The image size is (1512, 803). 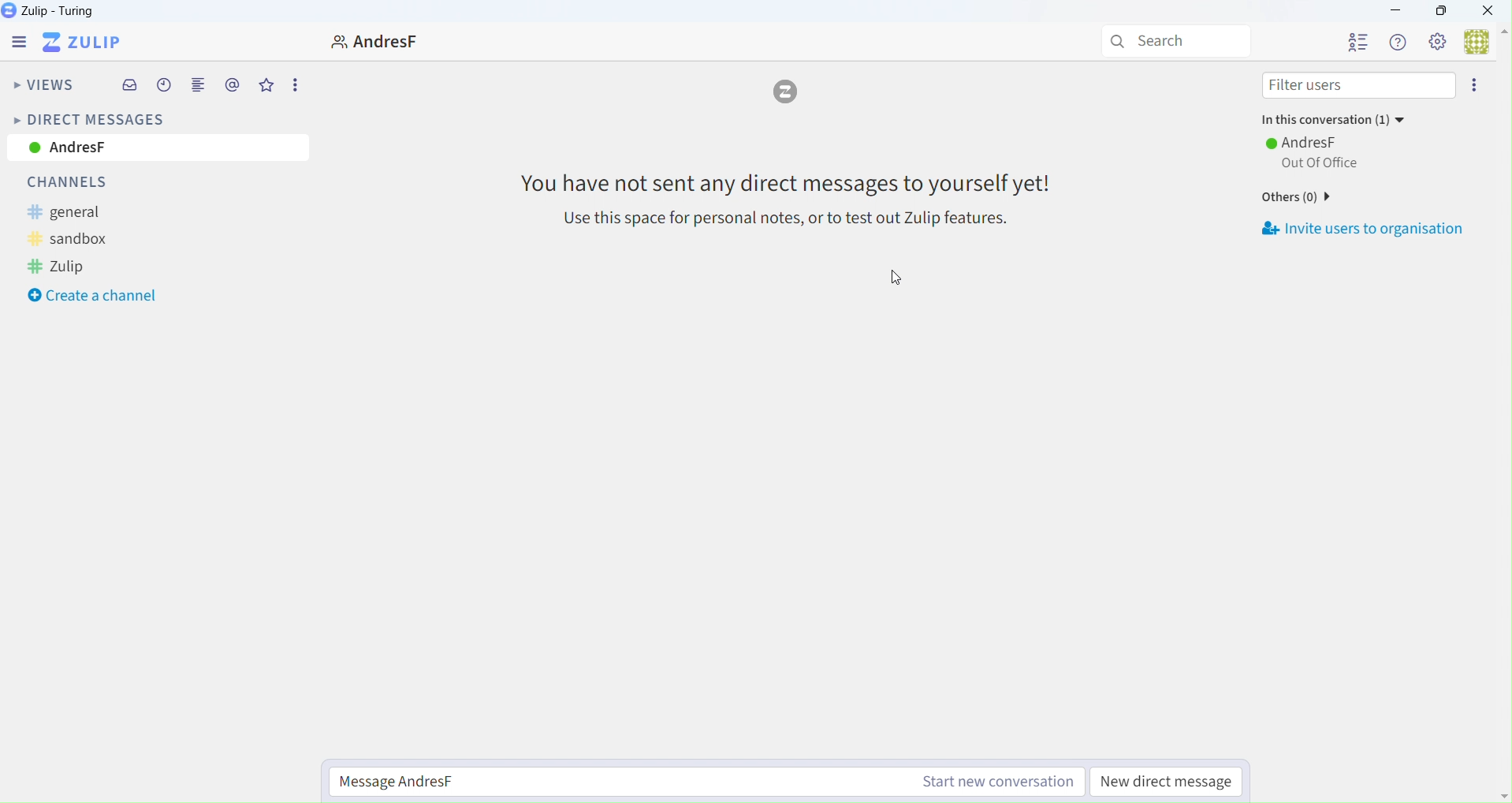 I want to click on Filter Users, so click(x=1353, y=87).